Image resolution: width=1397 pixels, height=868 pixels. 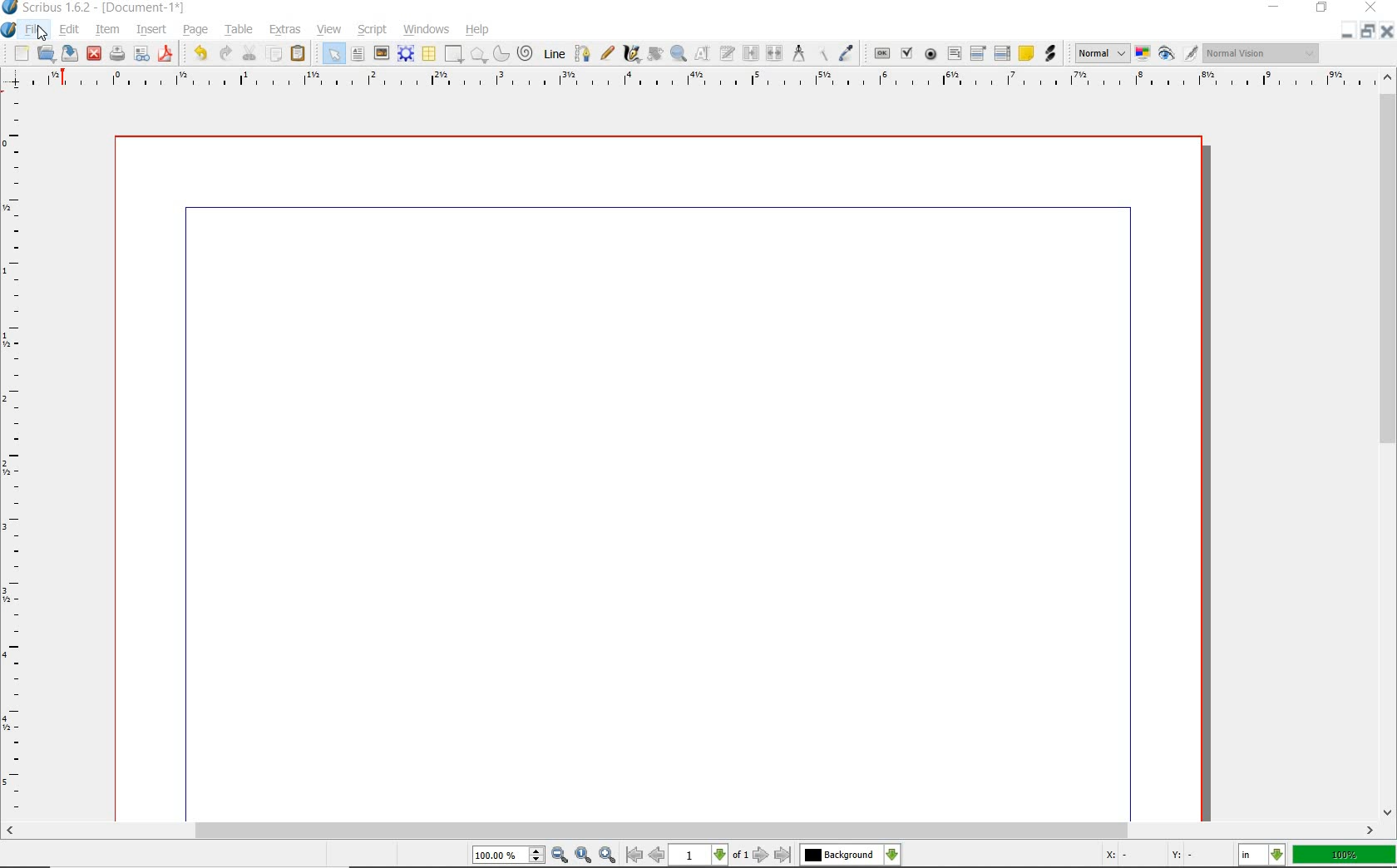 I want to click on print, so click(x=116, y=53).